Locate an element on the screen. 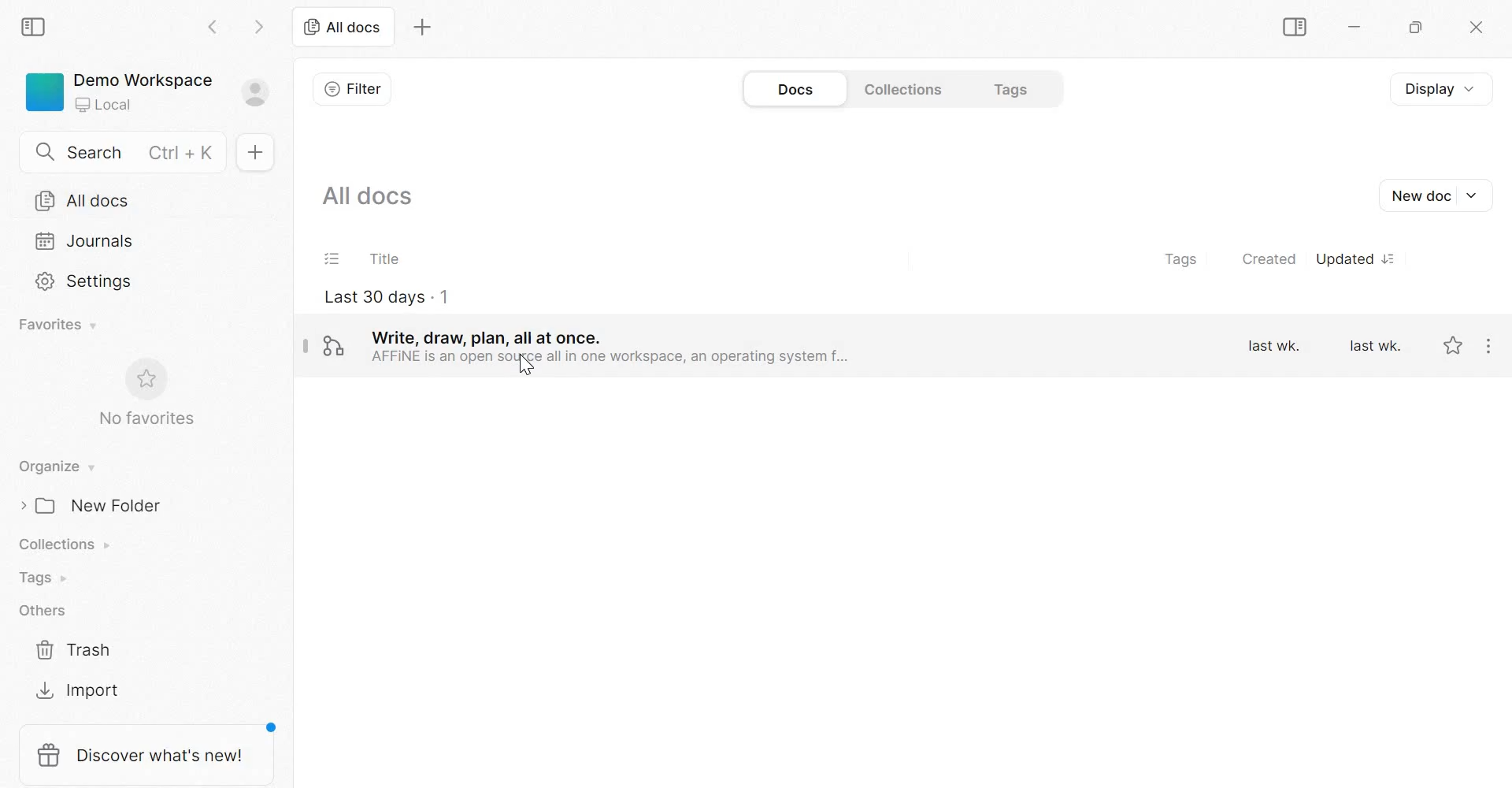  Sidebar Toggle is located at coordinates (1295, 28).